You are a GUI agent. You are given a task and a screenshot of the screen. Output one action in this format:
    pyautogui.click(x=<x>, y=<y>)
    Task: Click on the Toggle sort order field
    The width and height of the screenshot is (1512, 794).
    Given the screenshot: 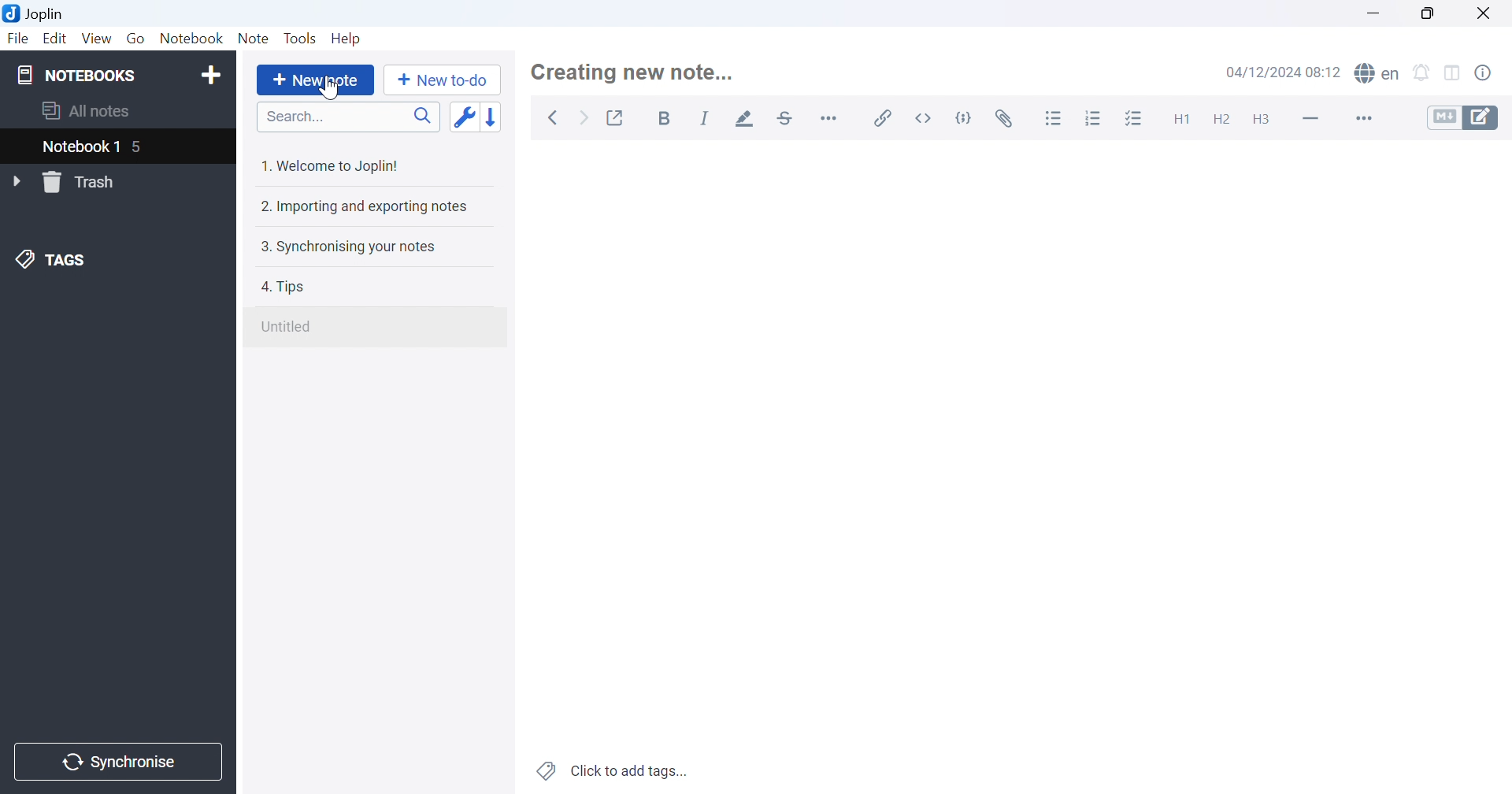 What is the action you would take?
    pyautogui.click(x=462, y=117)
    